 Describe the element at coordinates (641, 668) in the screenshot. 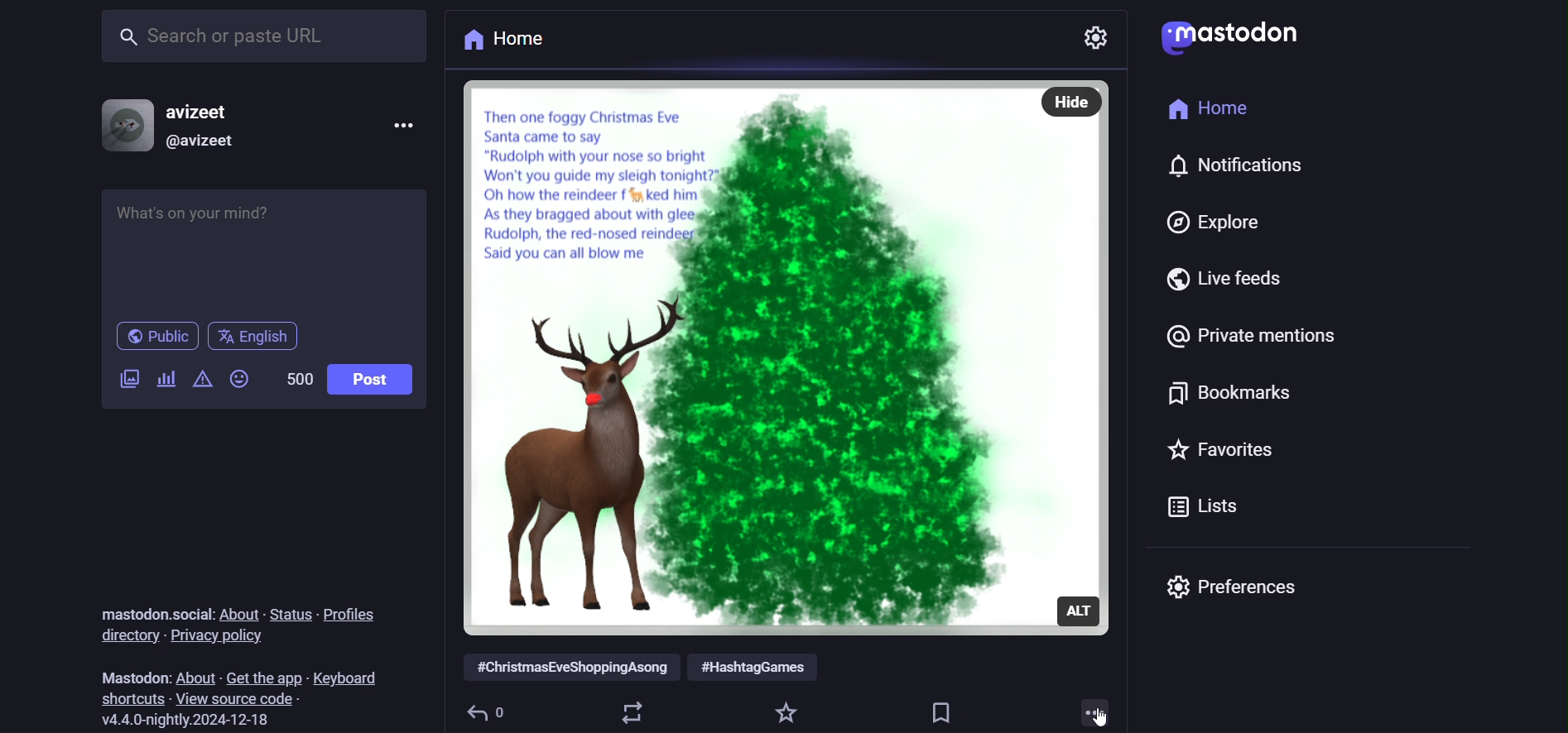

I see `hashtags` at that location.